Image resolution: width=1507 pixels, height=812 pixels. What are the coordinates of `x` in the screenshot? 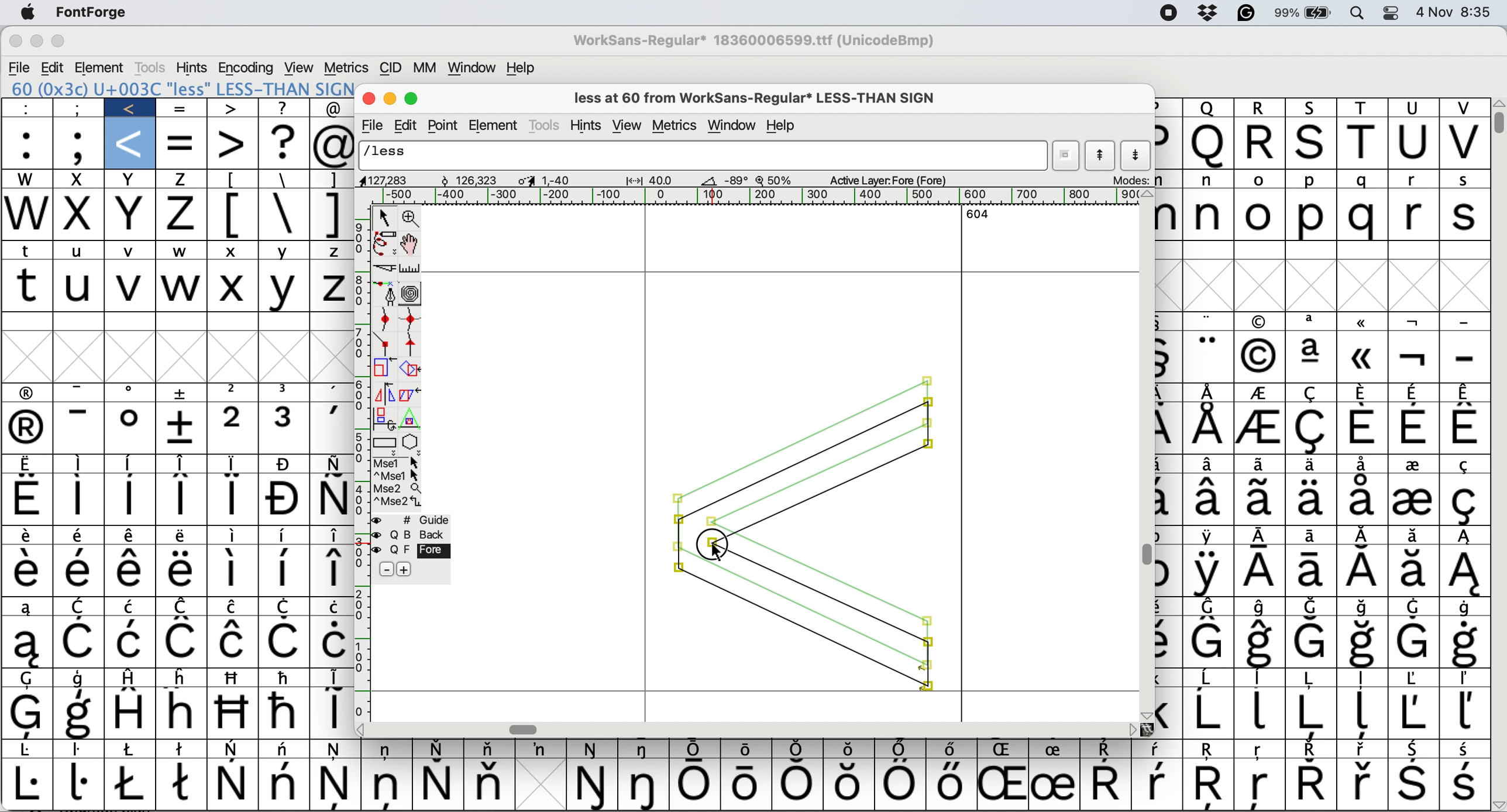 It's located at (133, 215).